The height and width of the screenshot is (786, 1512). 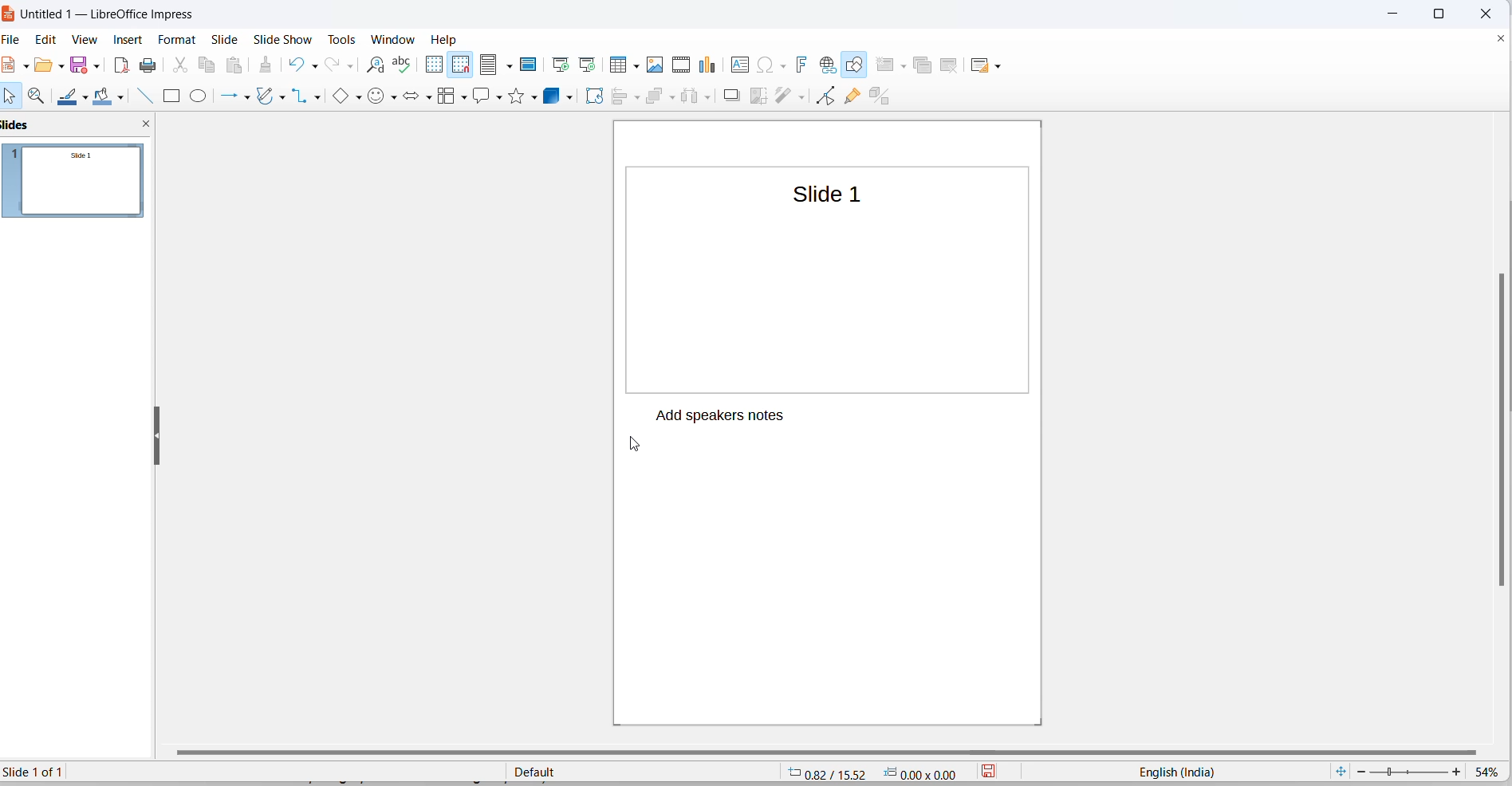 I want to click on undo options, so click(x=314, y=65).